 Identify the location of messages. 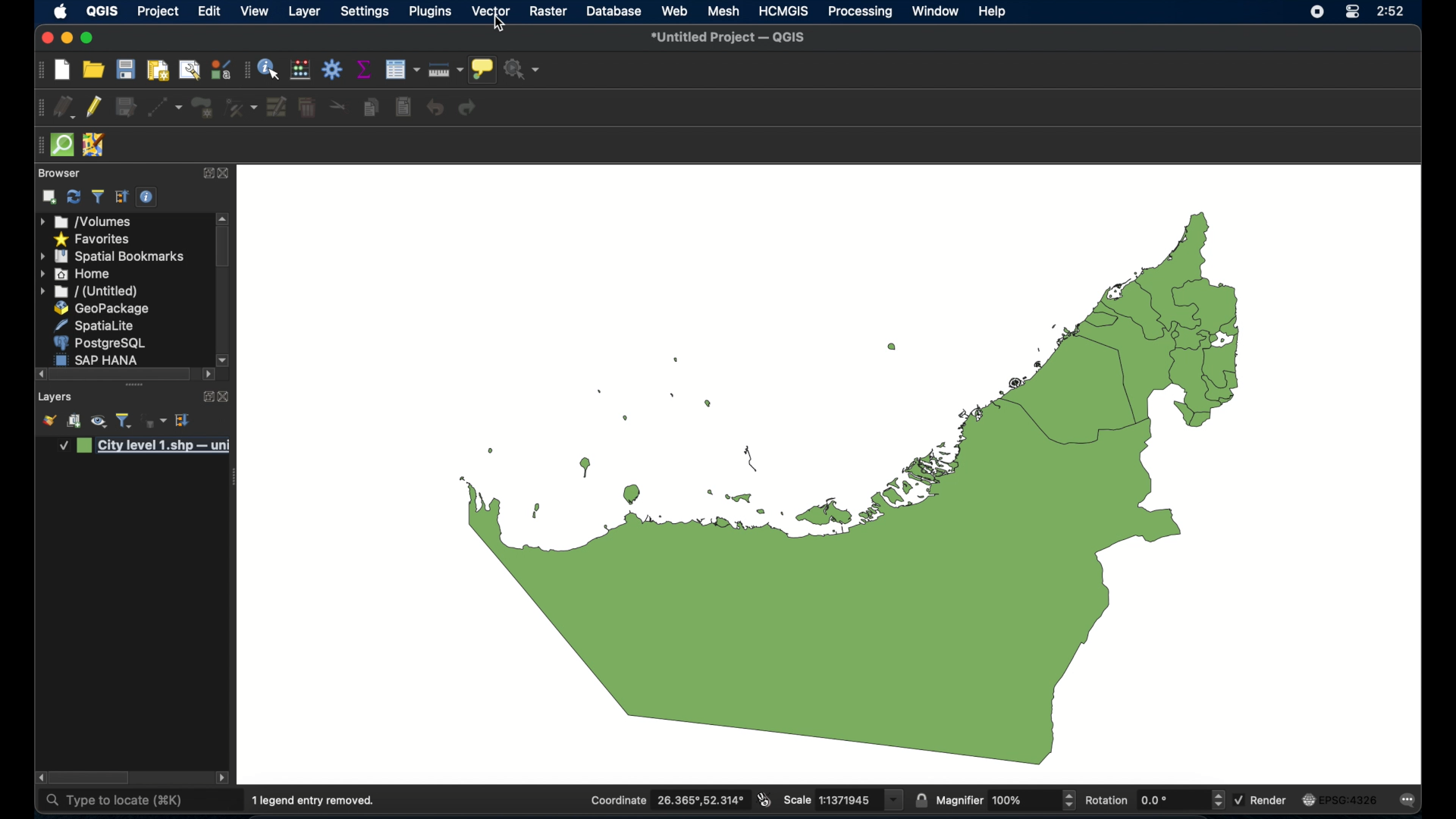
(1411, 801).